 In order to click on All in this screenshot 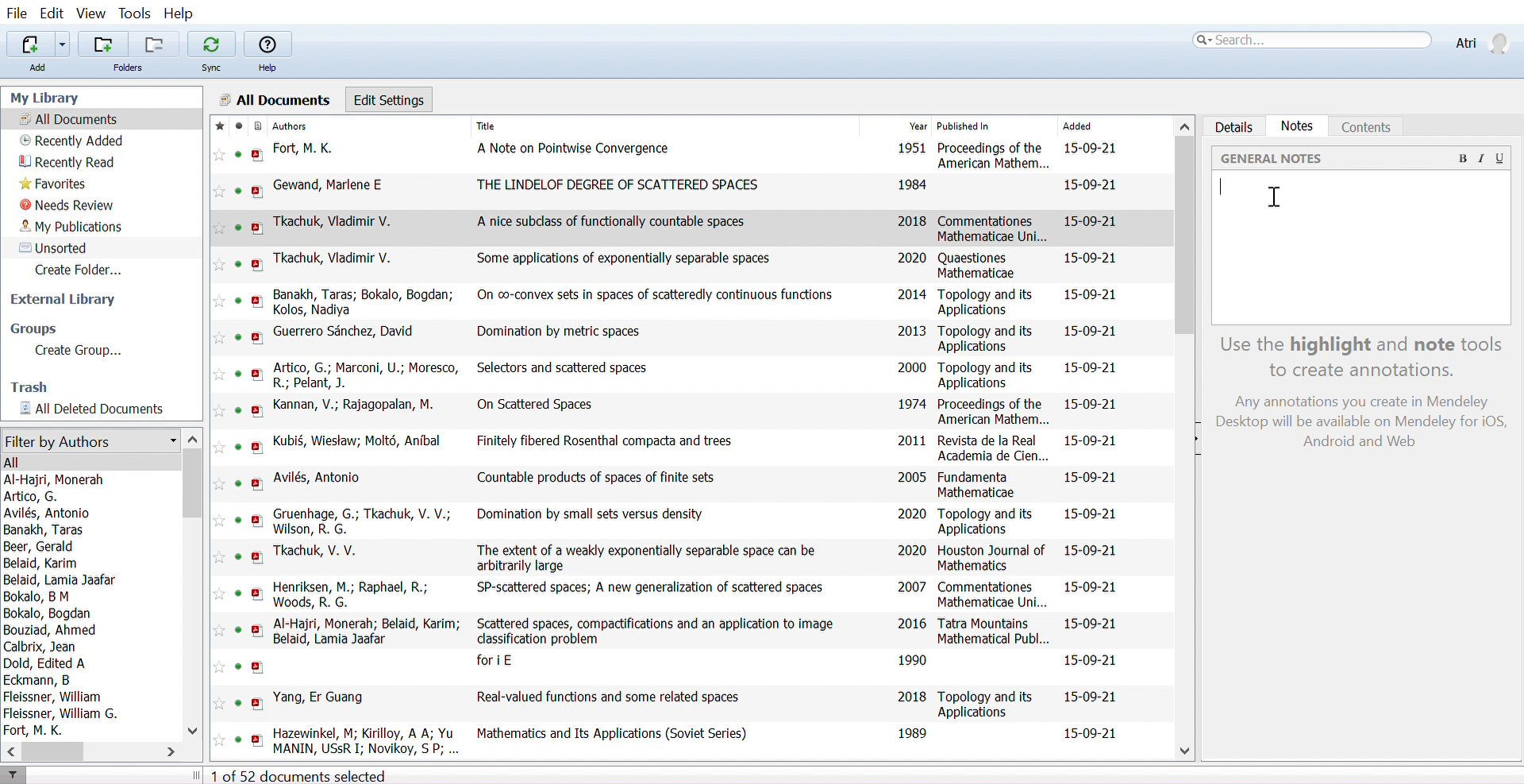, I will do `click(14, 463)`.